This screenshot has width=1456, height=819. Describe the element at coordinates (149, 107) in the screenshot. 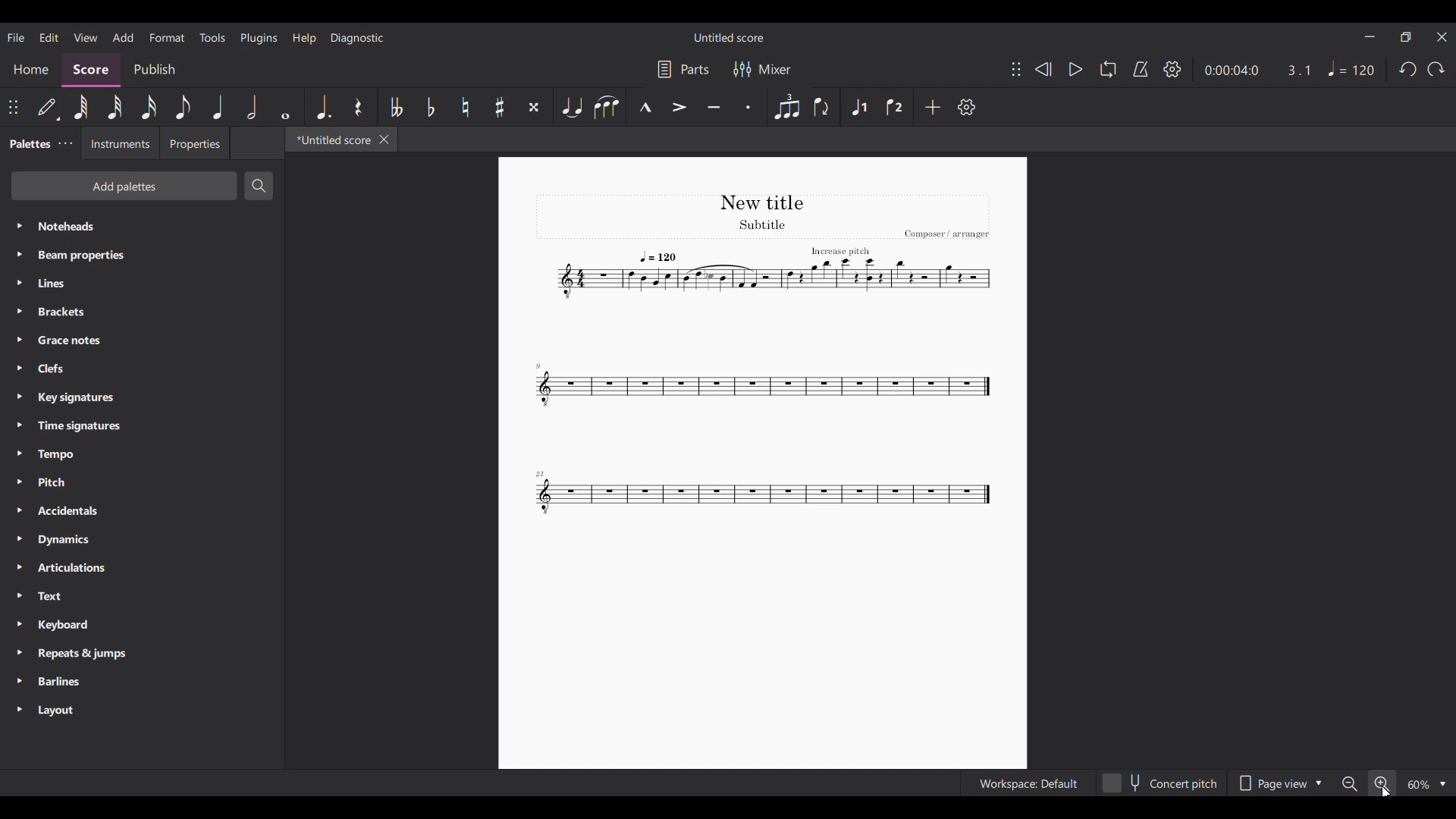

I see `16th note` at that location.